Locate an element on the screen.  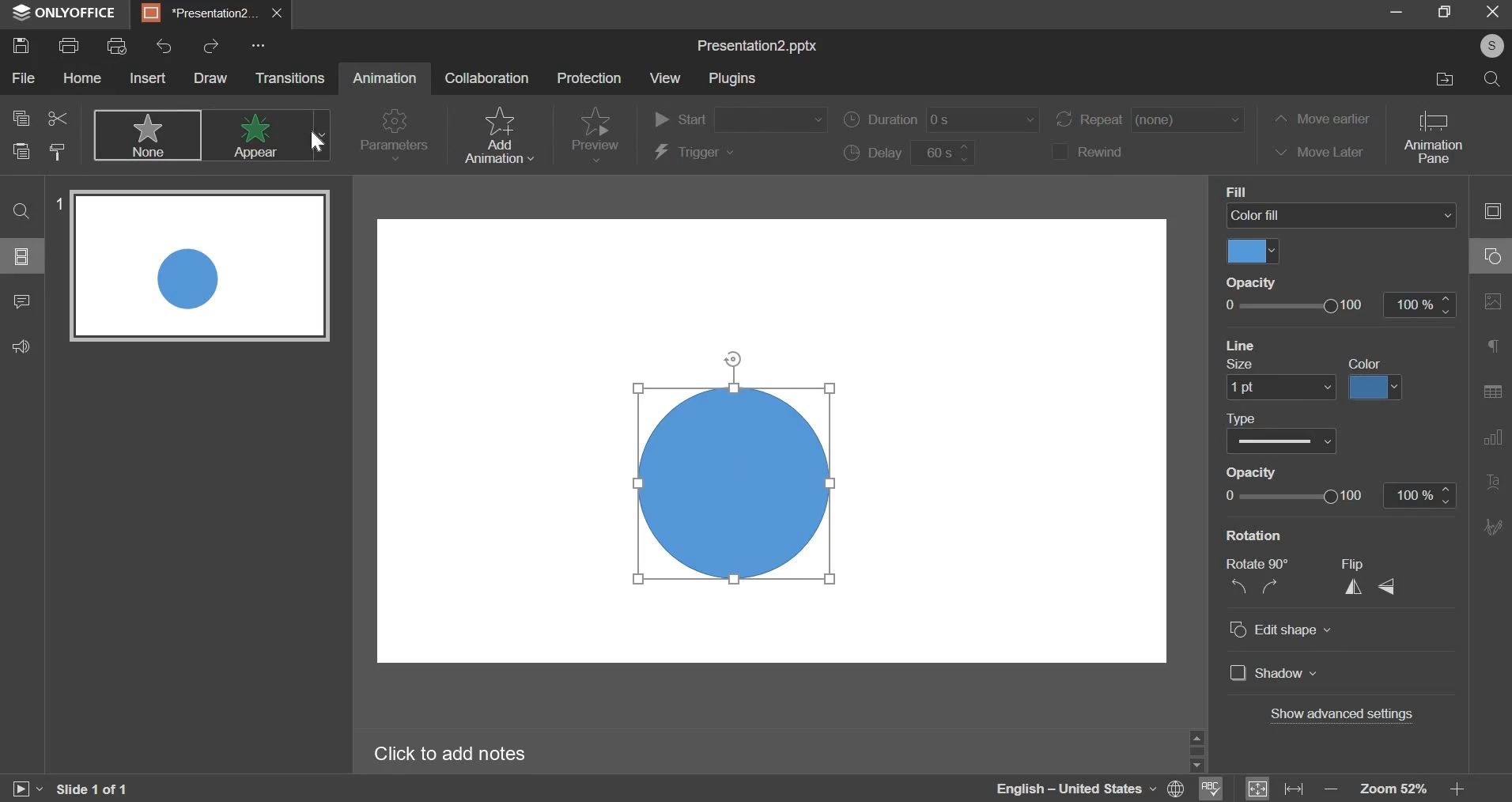
View is located at coordinates (667, 81).